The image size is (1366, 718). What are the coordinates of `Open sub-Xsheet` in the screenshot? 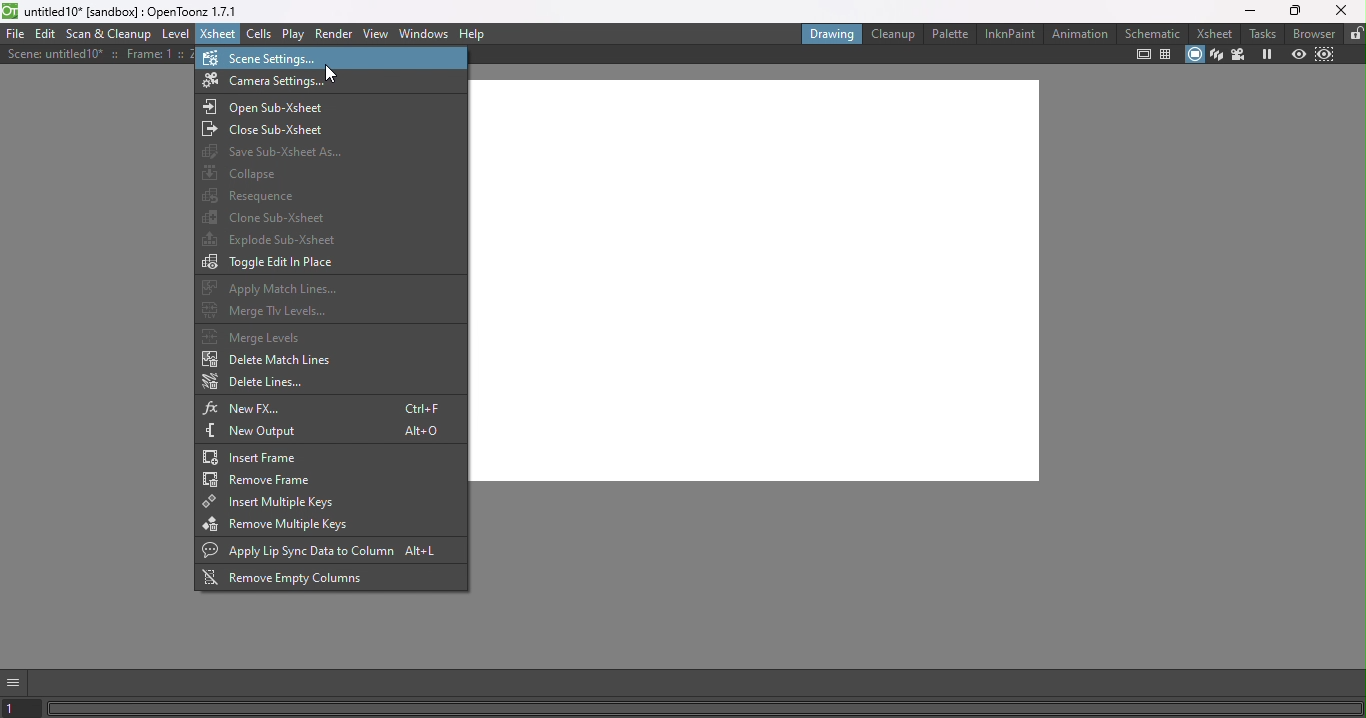 It's located at (266, 106).